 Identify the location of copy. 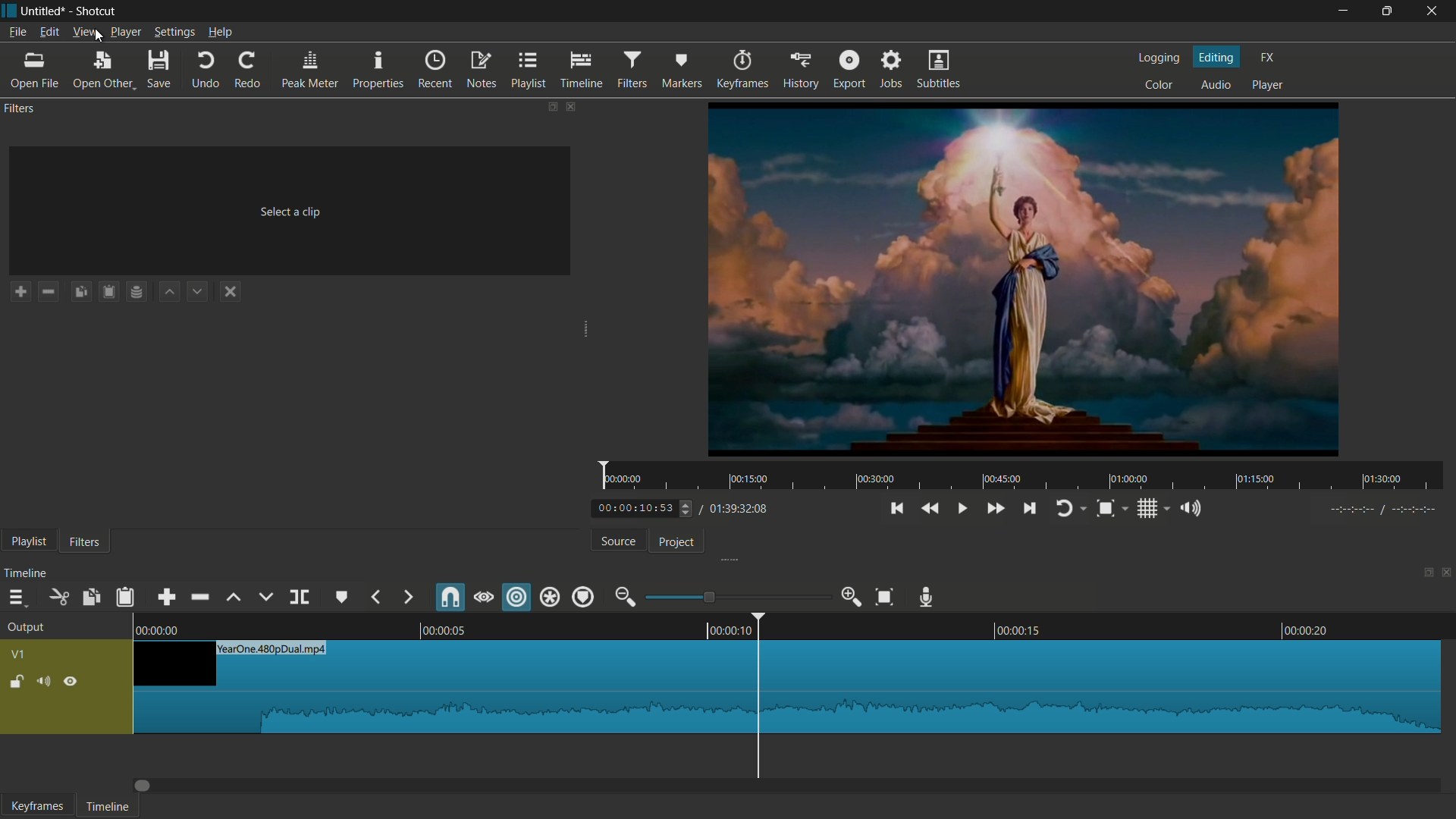
(90, 598).